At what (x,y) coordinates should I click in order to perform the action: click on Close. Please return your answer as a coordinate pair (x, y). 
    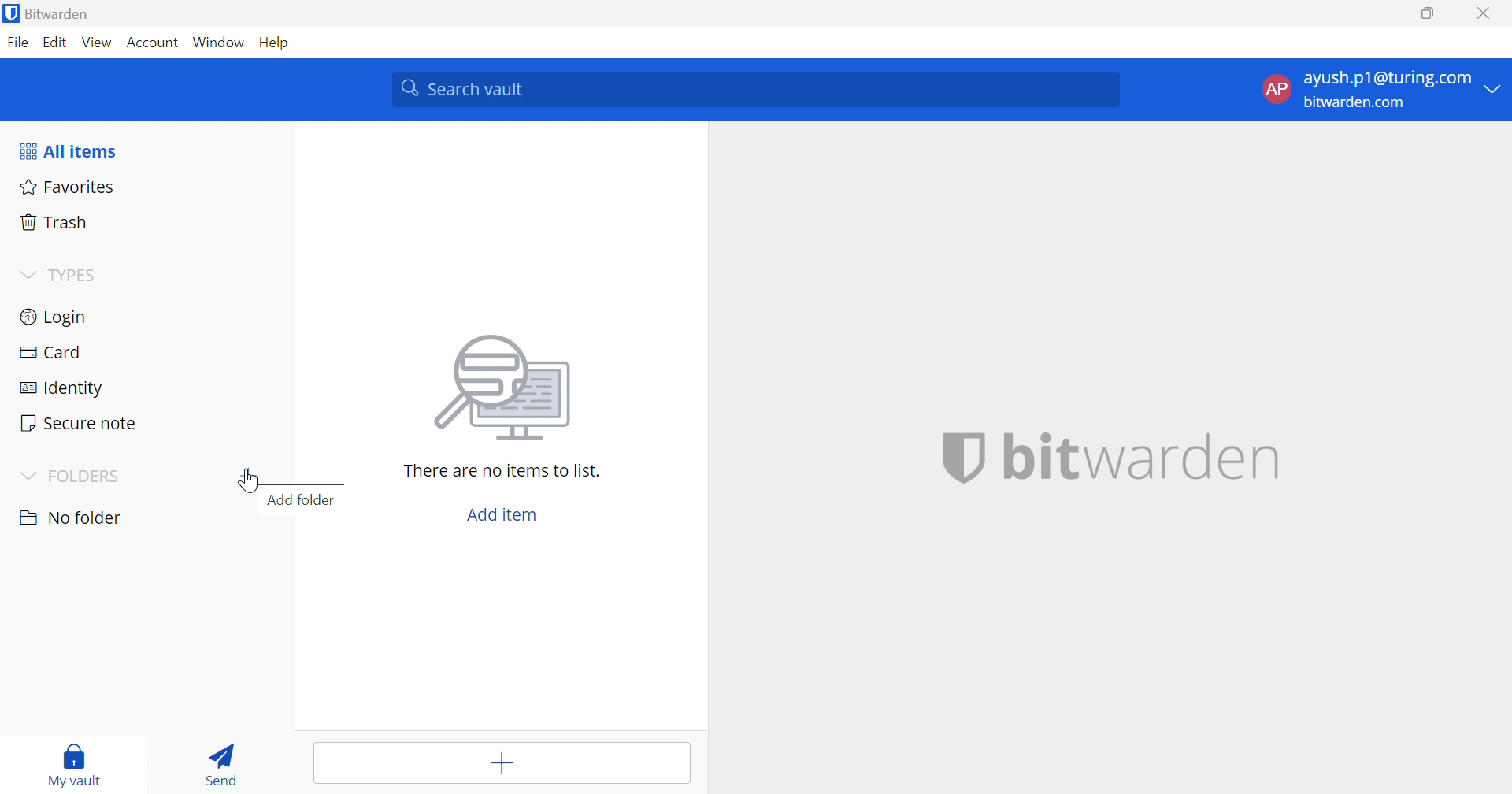
    Looking at the image, I should click on (1482, 13).